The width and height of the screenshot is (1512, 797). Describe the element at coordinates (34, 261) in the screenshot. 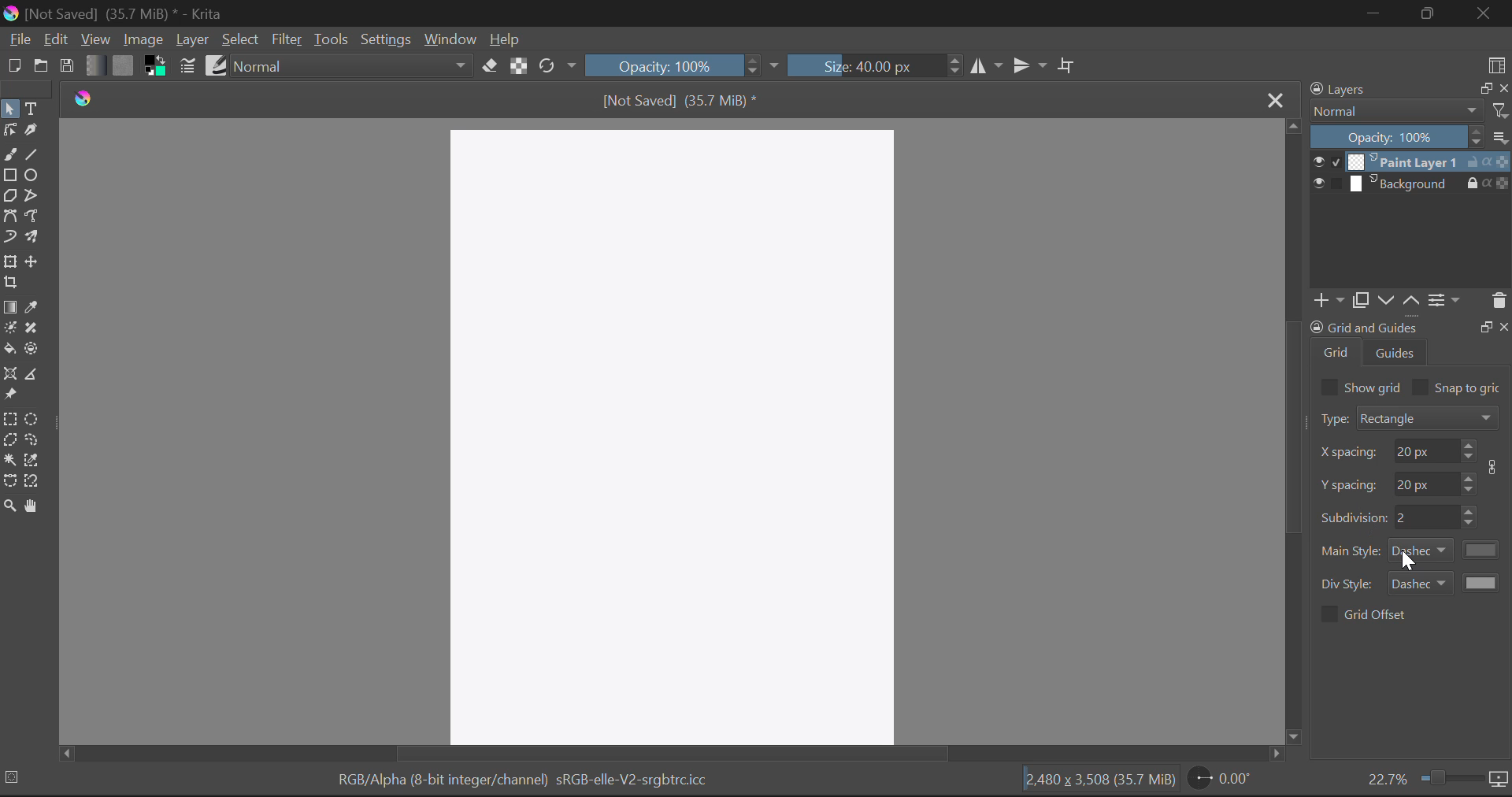

I see `Move Layer` at that location.